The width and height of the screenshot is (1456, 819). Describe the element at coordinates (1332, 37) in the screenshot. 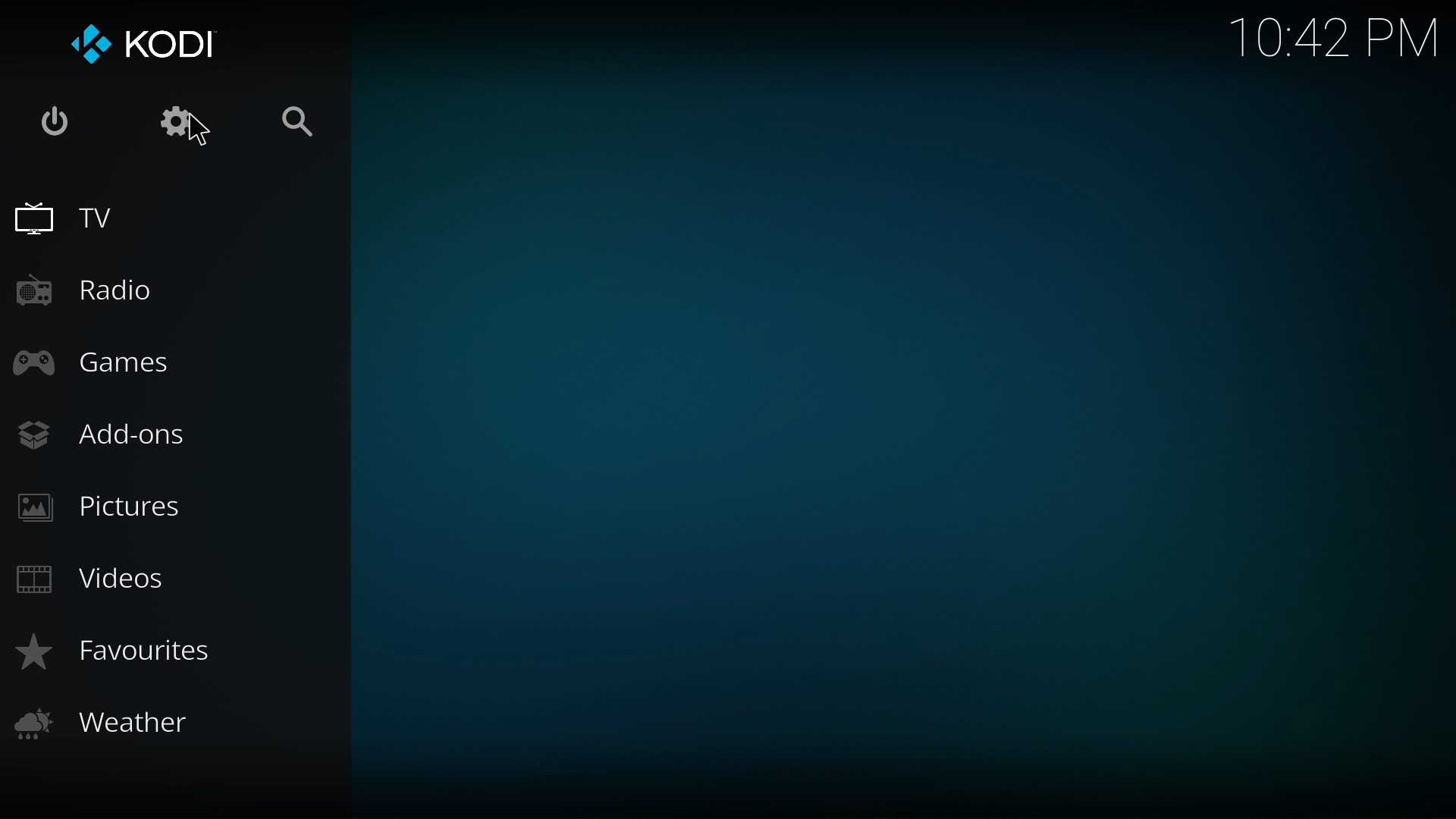

I see `10:42 PM` at that location.